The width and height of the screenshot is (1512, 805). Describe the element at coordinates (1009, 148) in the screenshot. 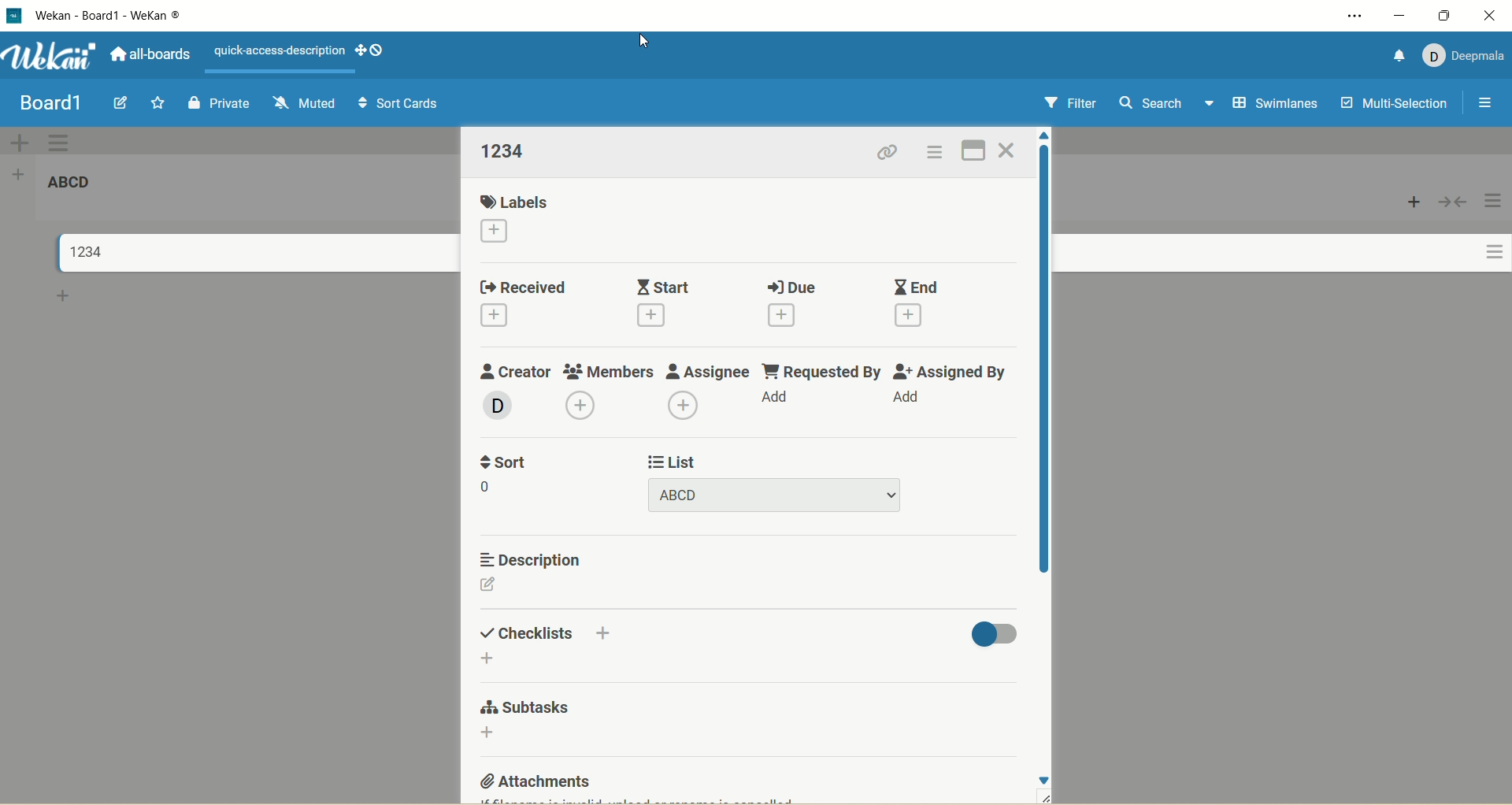

I see `close` at that location.